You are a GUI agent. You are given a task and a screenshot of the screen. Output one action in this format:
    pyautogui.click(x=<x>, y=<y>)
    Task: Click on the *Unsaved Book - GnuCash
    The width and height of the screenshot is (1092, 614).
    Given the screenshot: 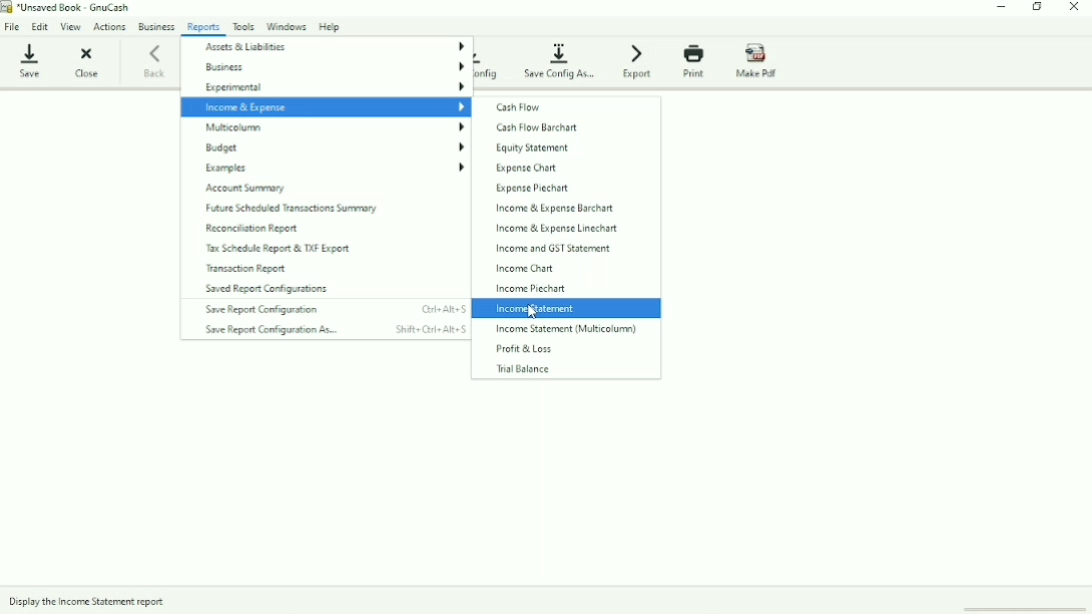 What is the action you would take?
    pyautogui.click(x=76, y=8)
    